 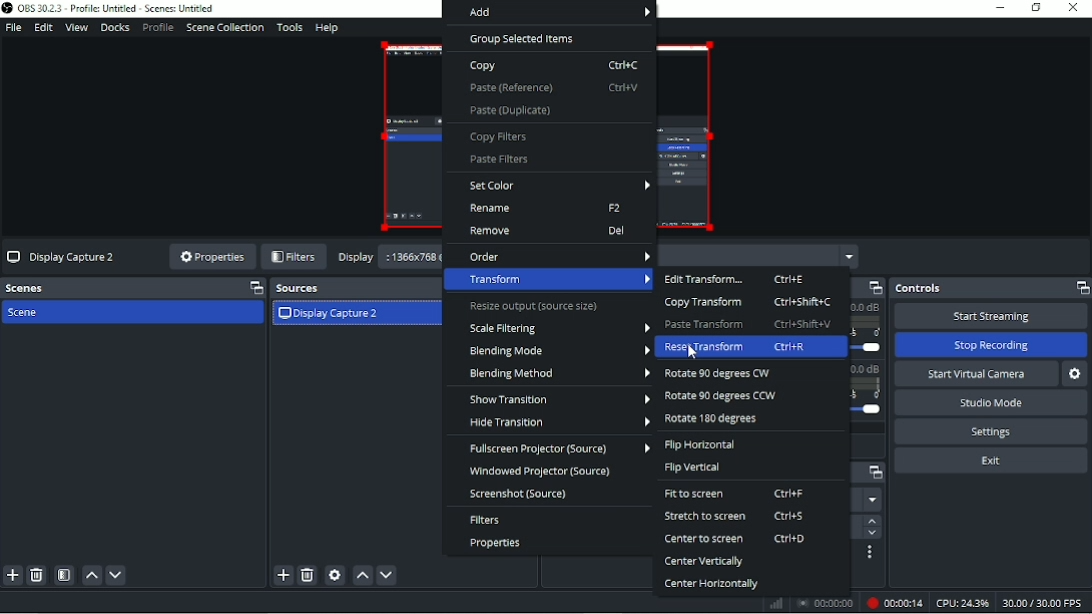 What do you see at coordinates (327, 29) in the screenshot?
I see `Help` at bounding box center [327, 29].